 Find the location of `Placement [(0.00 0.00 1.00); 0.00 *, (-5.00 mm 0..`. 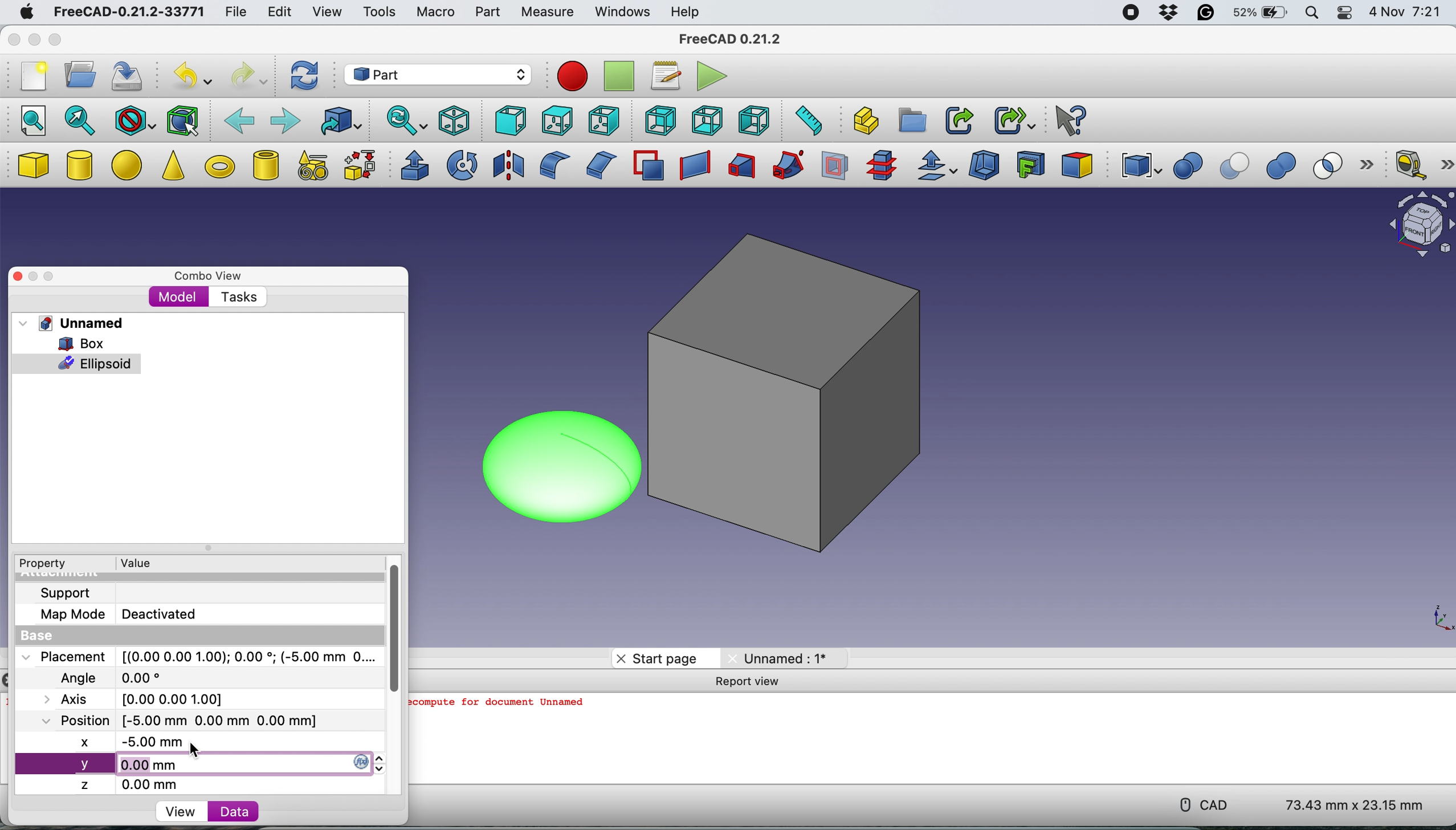

Placement [(0.00 0.00 1.00); 0.00 *, (-5.00 mm 0.. is located at coordinates (197, 656).